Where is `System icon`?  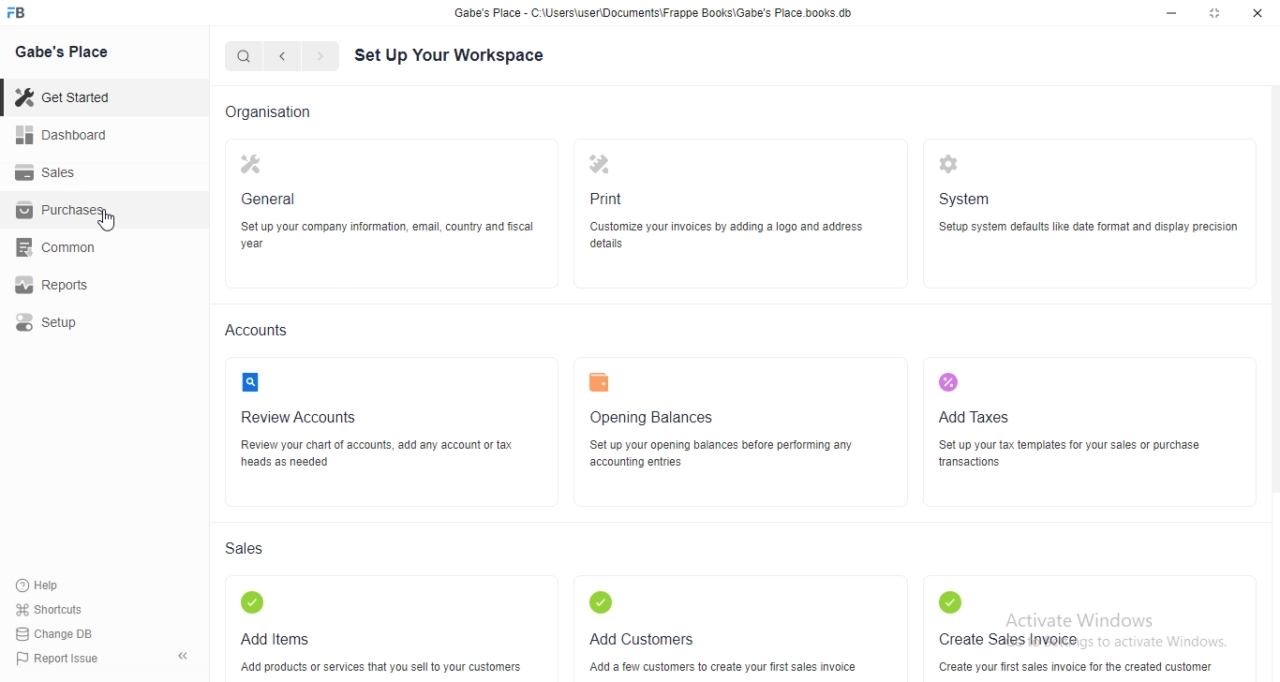 System icon is located at coordinates (948, 164).